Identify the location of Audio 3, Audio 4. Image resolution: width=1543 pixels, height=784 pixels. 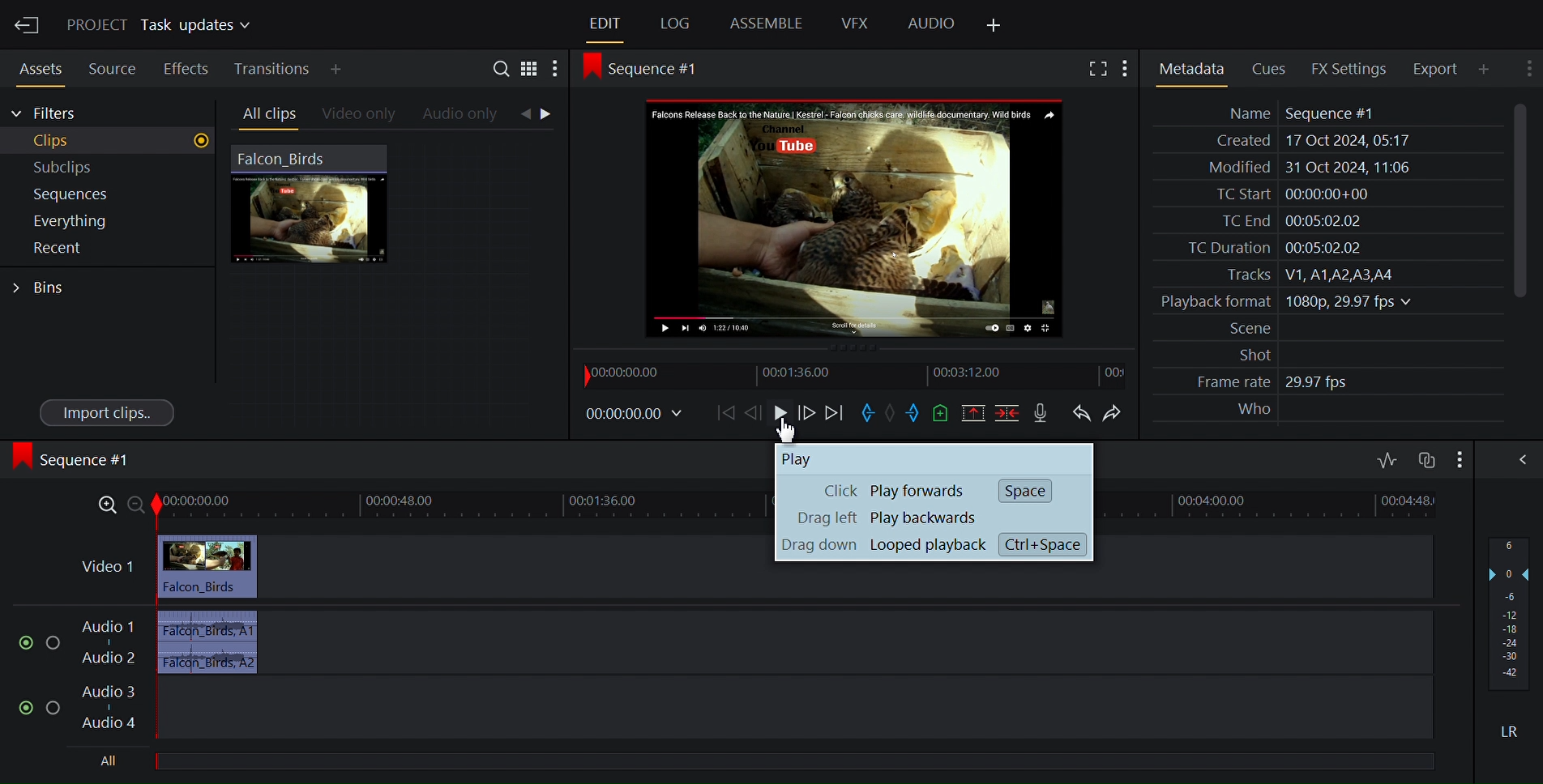
(753, 709).